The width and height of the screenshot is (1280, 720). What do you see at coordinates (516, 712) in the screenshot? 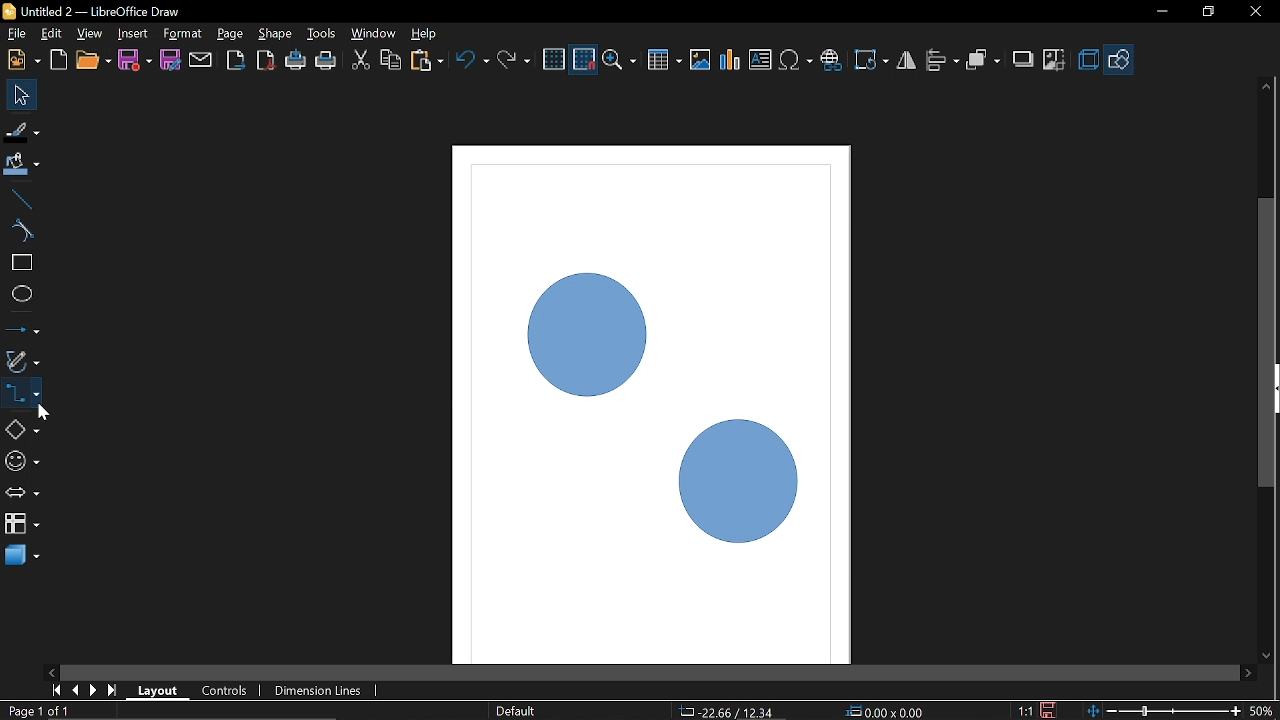
I see `Page style` at bounding box center [516, 712].